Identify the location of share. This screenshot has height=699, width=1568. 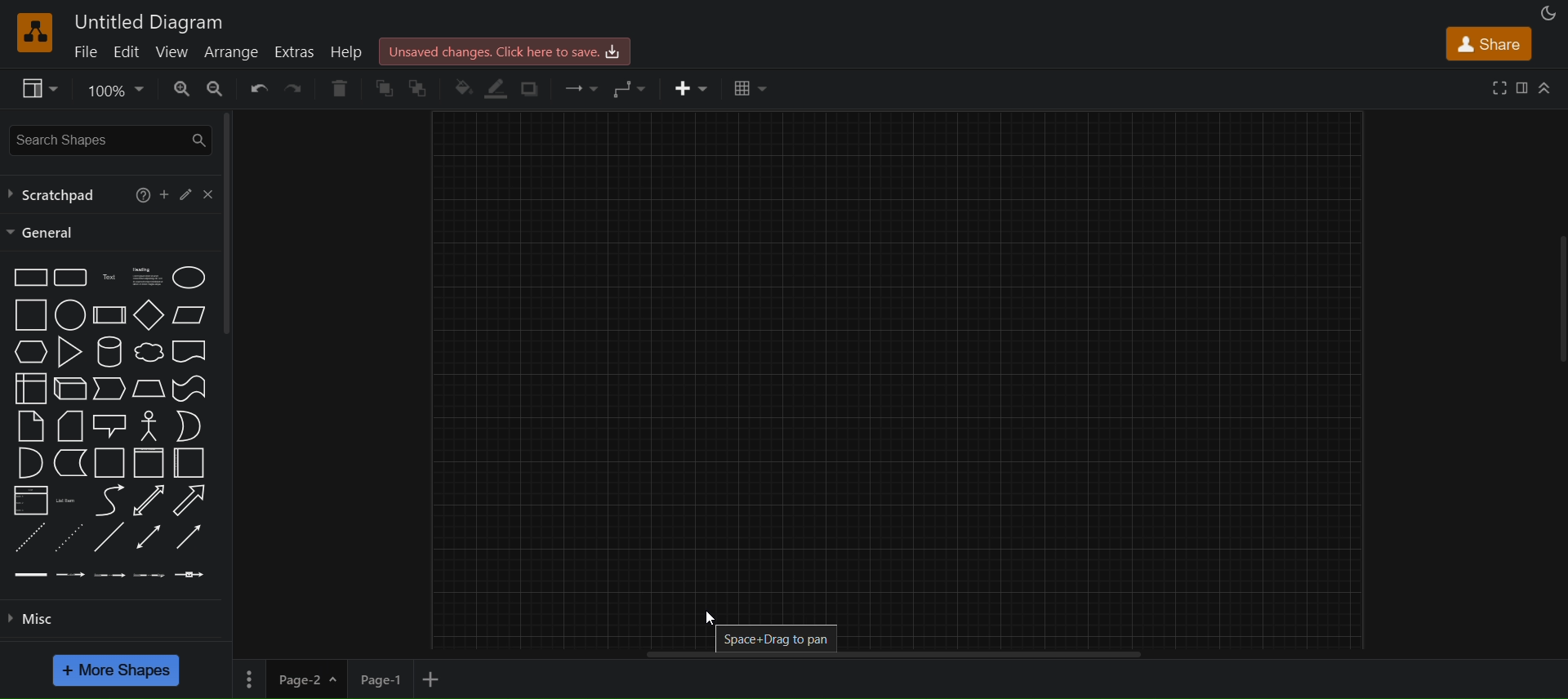
(1490, 42).